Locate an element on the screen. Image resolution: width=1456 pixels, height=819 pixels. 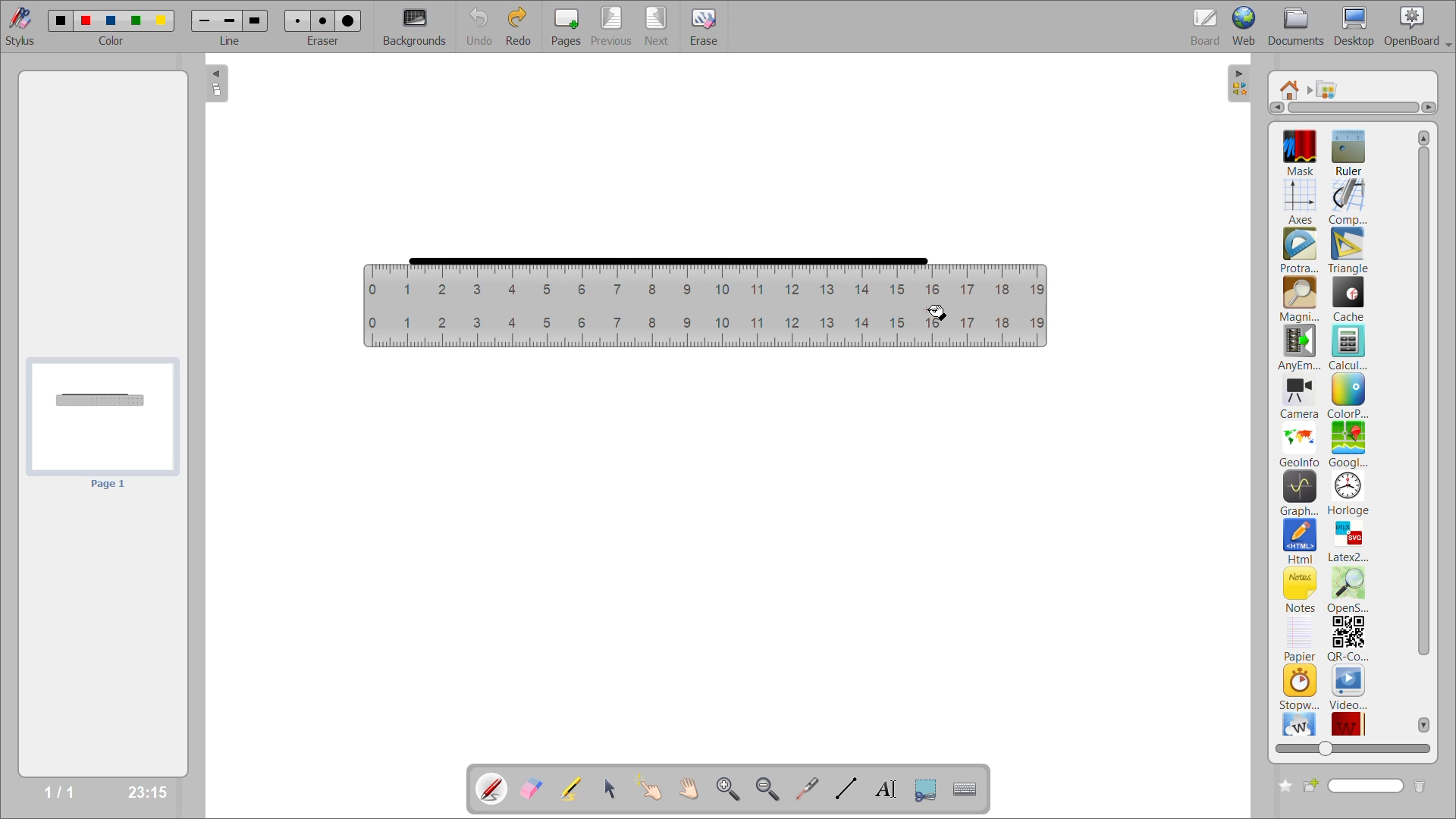
stylus is located at coordinates (17, 24).